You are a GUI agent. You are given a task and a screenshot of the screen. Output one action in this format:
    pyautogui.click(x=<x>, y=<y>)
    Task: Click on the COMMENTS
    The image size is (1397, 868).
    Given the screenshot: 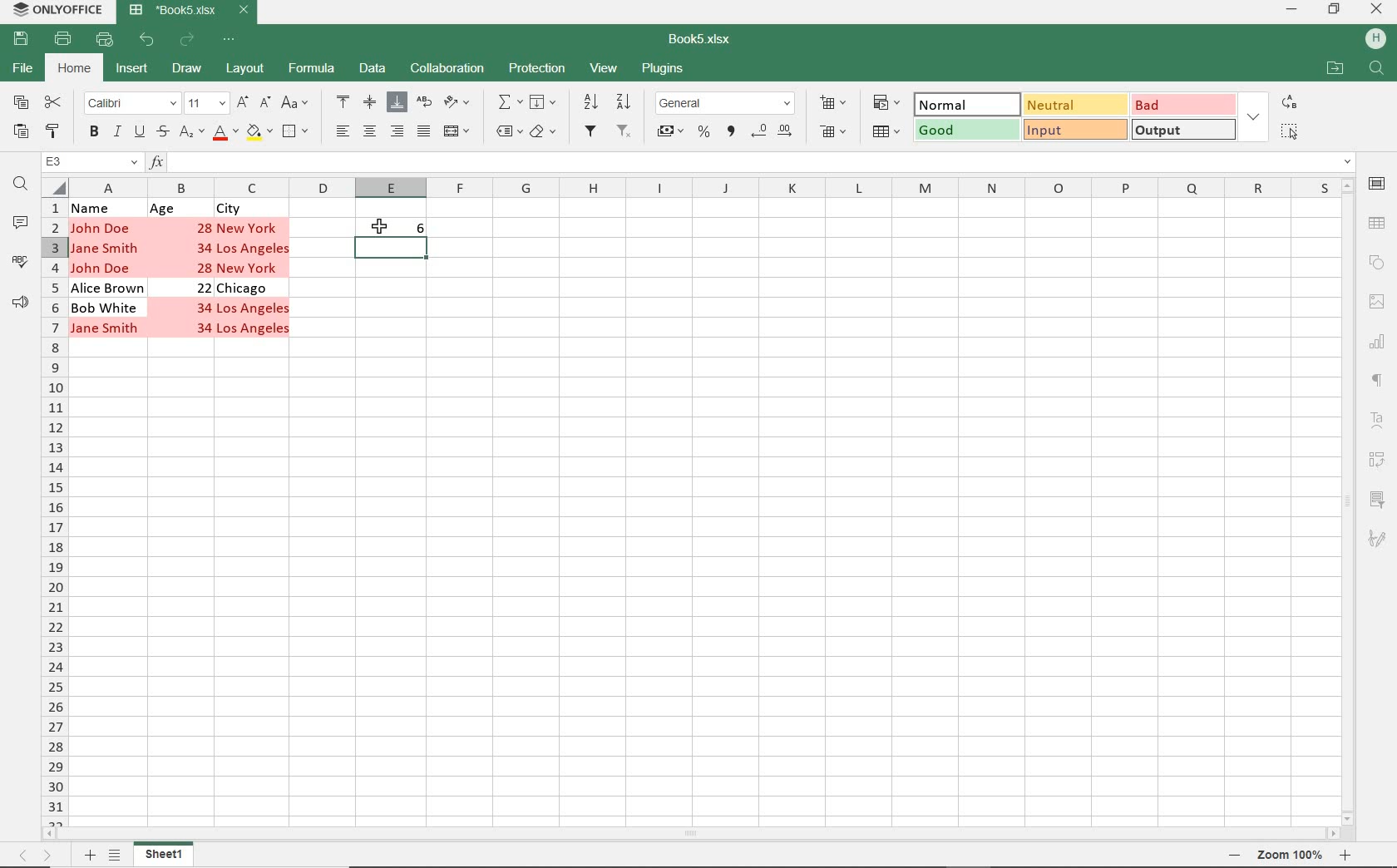 What is the action you would take?
    pyautogui.click(x=21, y=226)
    